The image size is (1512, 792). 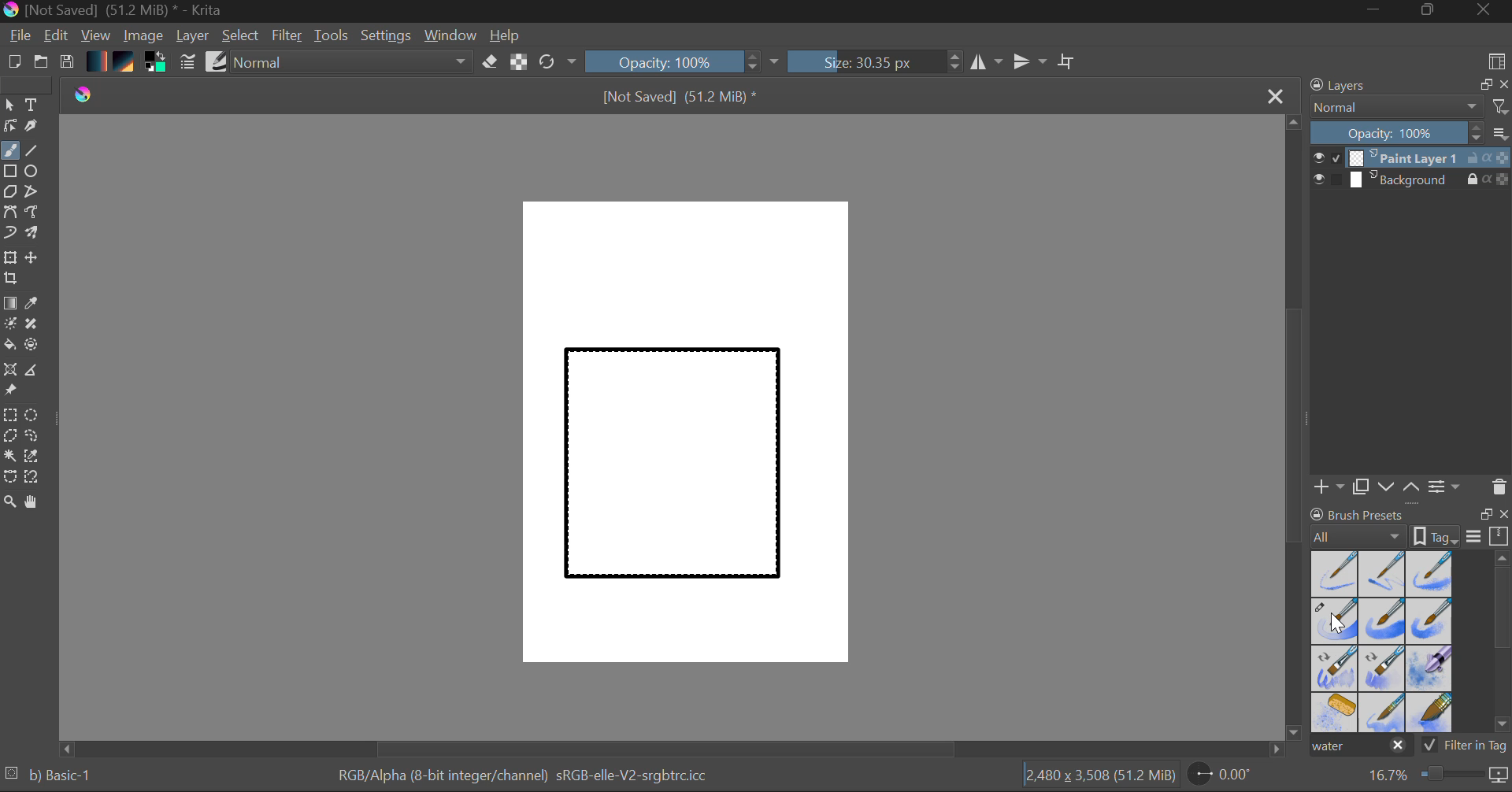 I want to click on Brush Settings, so click(x=186, y=63).